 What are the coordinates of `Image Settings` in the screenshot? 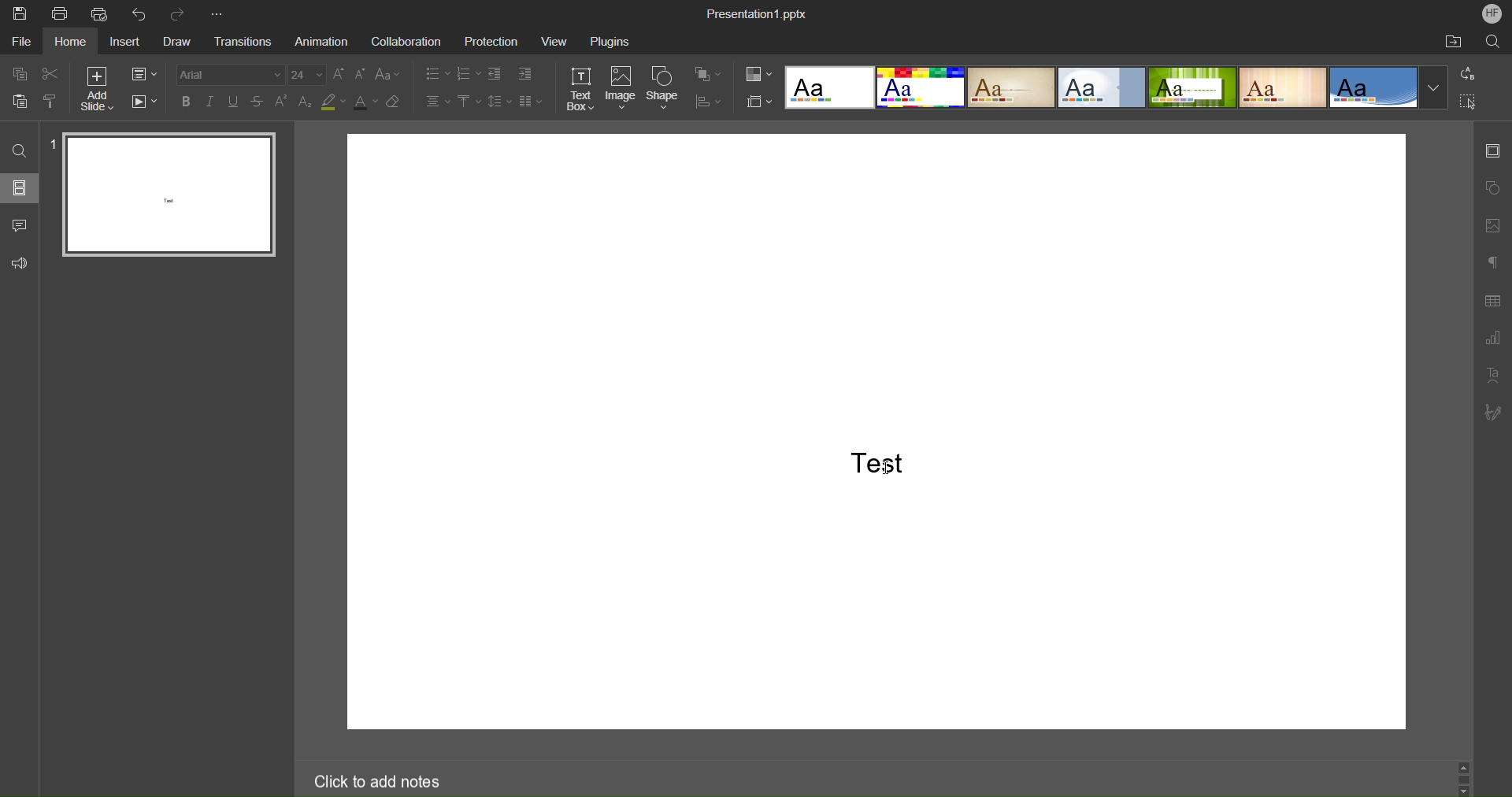 It's located at (1492, 226).